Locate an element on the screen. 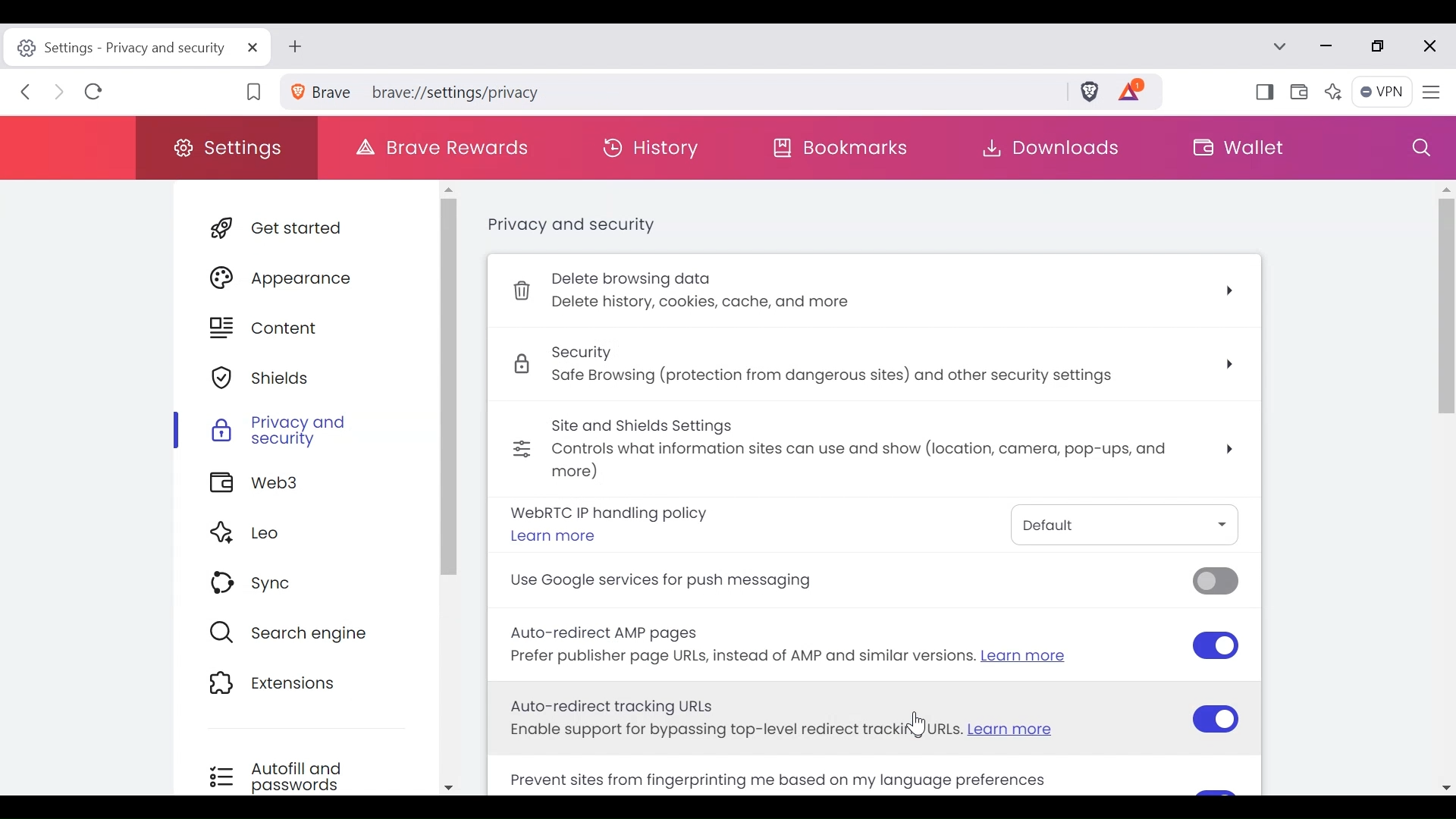 The width and height of the screenshot is (1456, 819). Cursor is located at coordinates (916, 728).